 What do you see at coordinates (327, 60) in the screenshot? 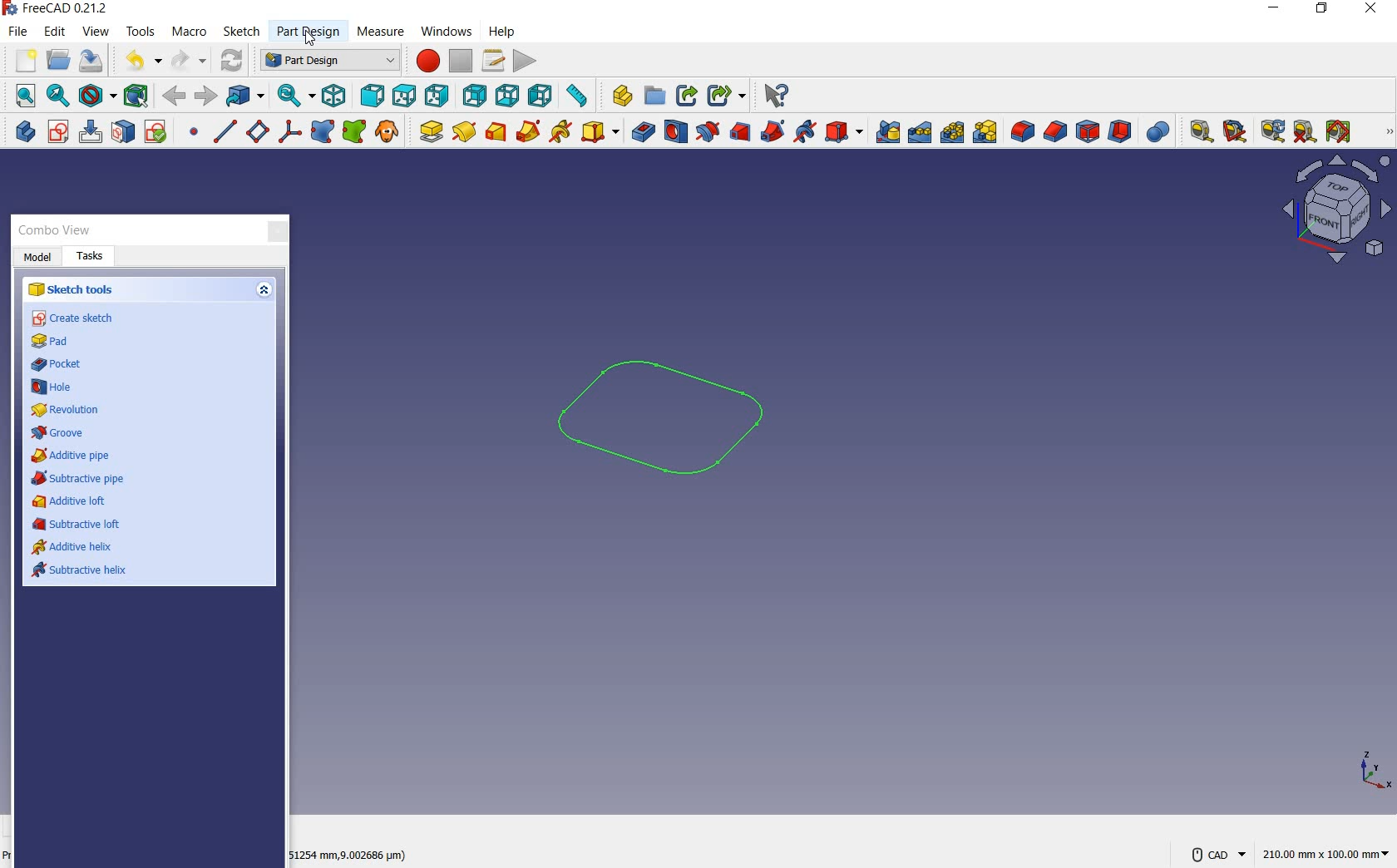
I see `switch between workbenches` at bounding box center [327, 60].